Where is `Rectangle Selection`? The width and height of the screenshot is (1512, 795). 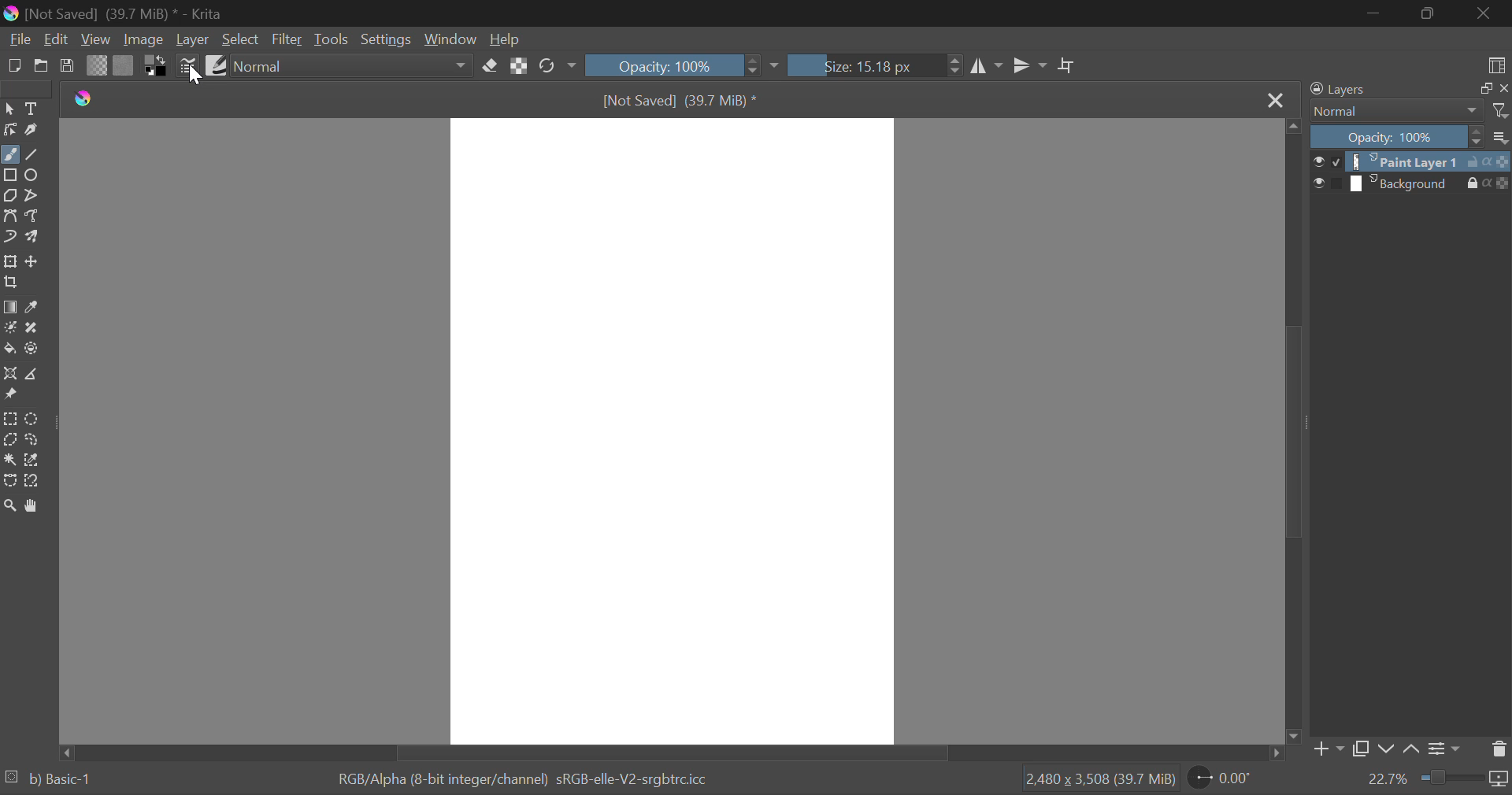
Rectangle Selection is located at coordinates (10, 418).